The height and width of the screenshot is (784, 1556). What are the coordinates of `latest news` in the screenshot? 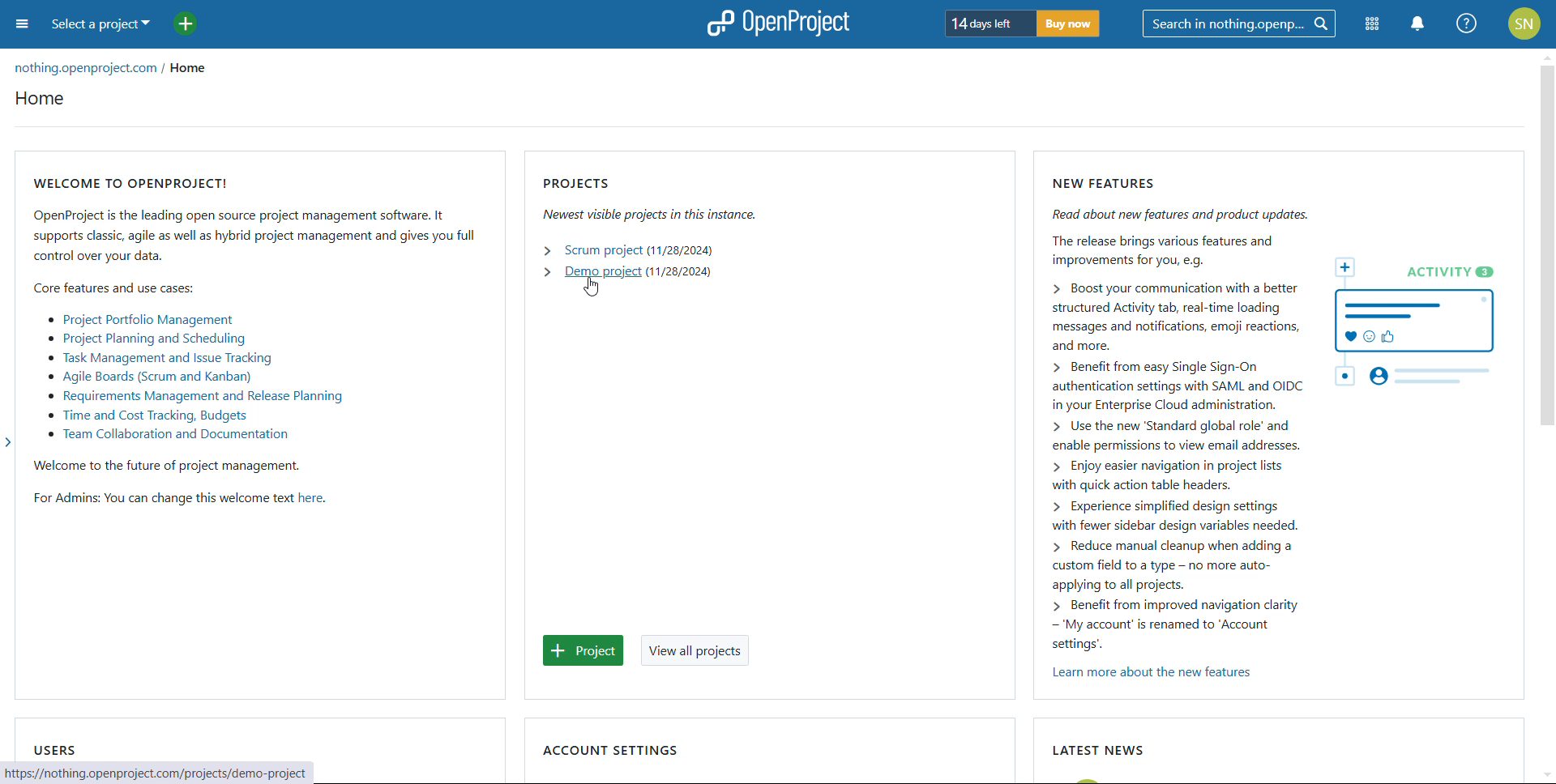 It's located at (1098, 751).